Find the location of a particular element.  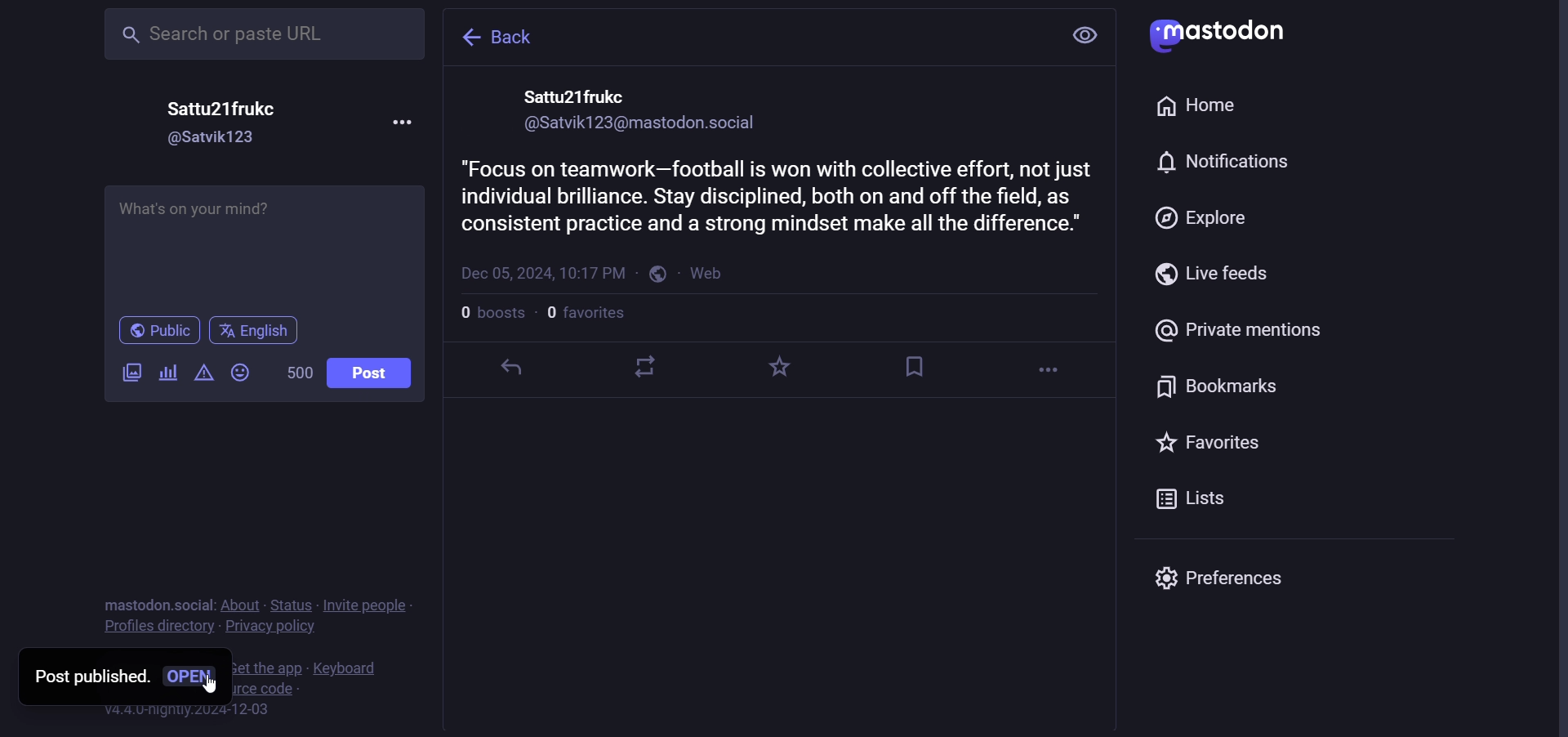

version is located at coordinates (189, 712).